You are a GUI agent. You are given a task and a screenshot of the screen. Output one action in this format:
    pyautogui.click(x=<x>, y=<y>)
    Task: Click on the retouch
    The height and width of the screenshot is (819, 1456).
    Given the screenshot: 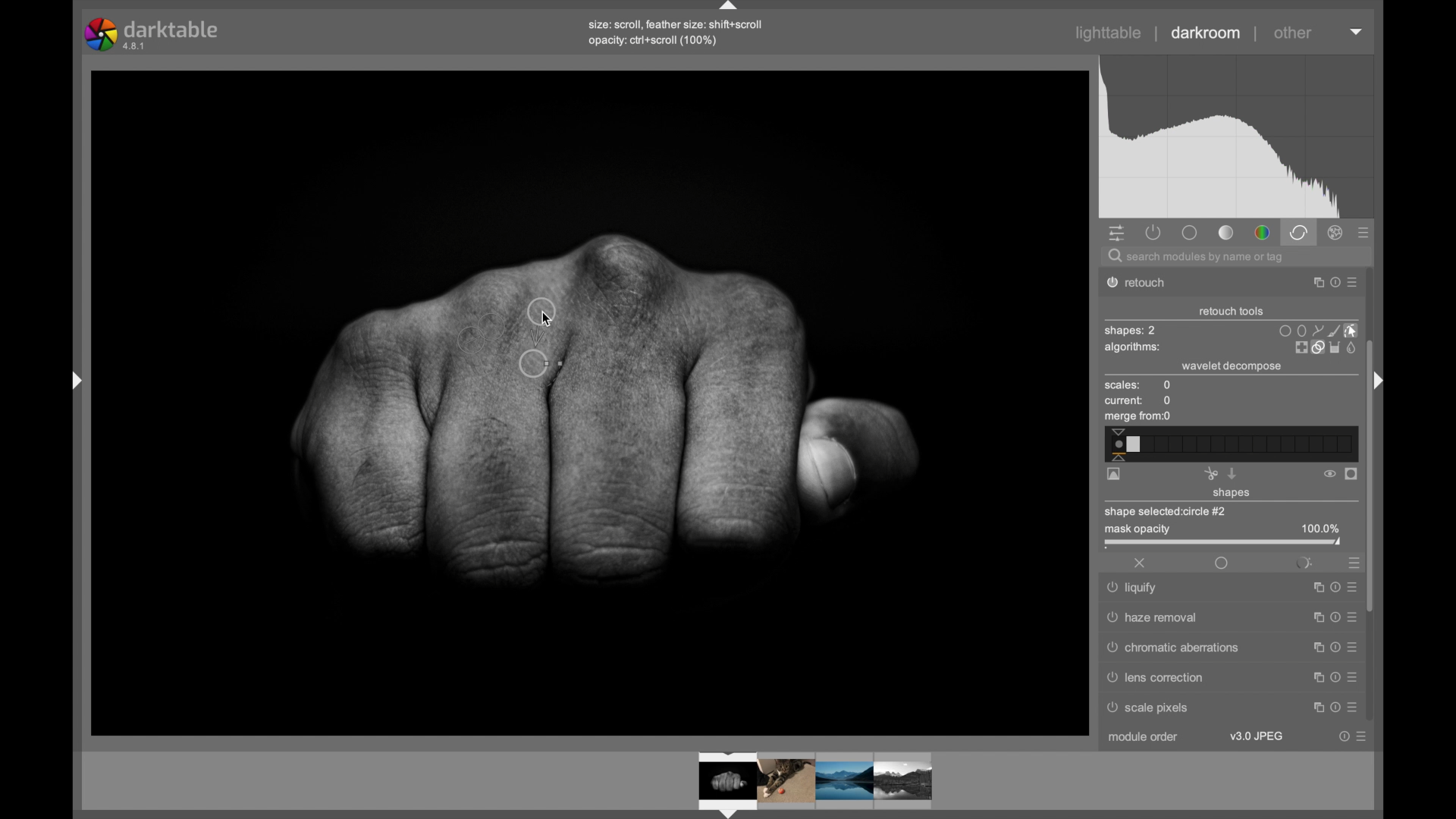 What is the action you would take?
    pyautogui.click(x=1145, y=283)
    